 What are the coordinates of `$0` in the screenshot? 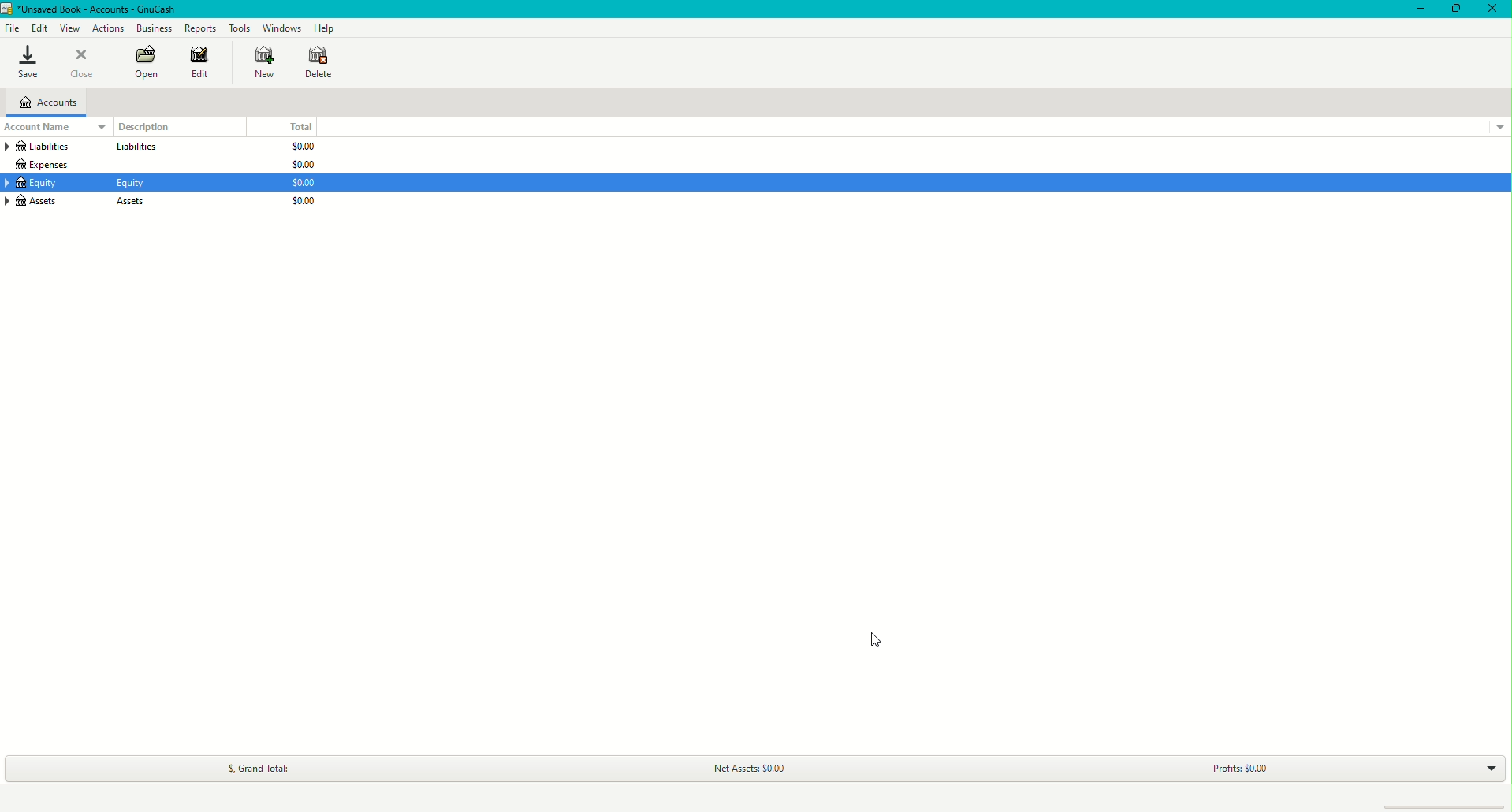 It's located at (304, 202).